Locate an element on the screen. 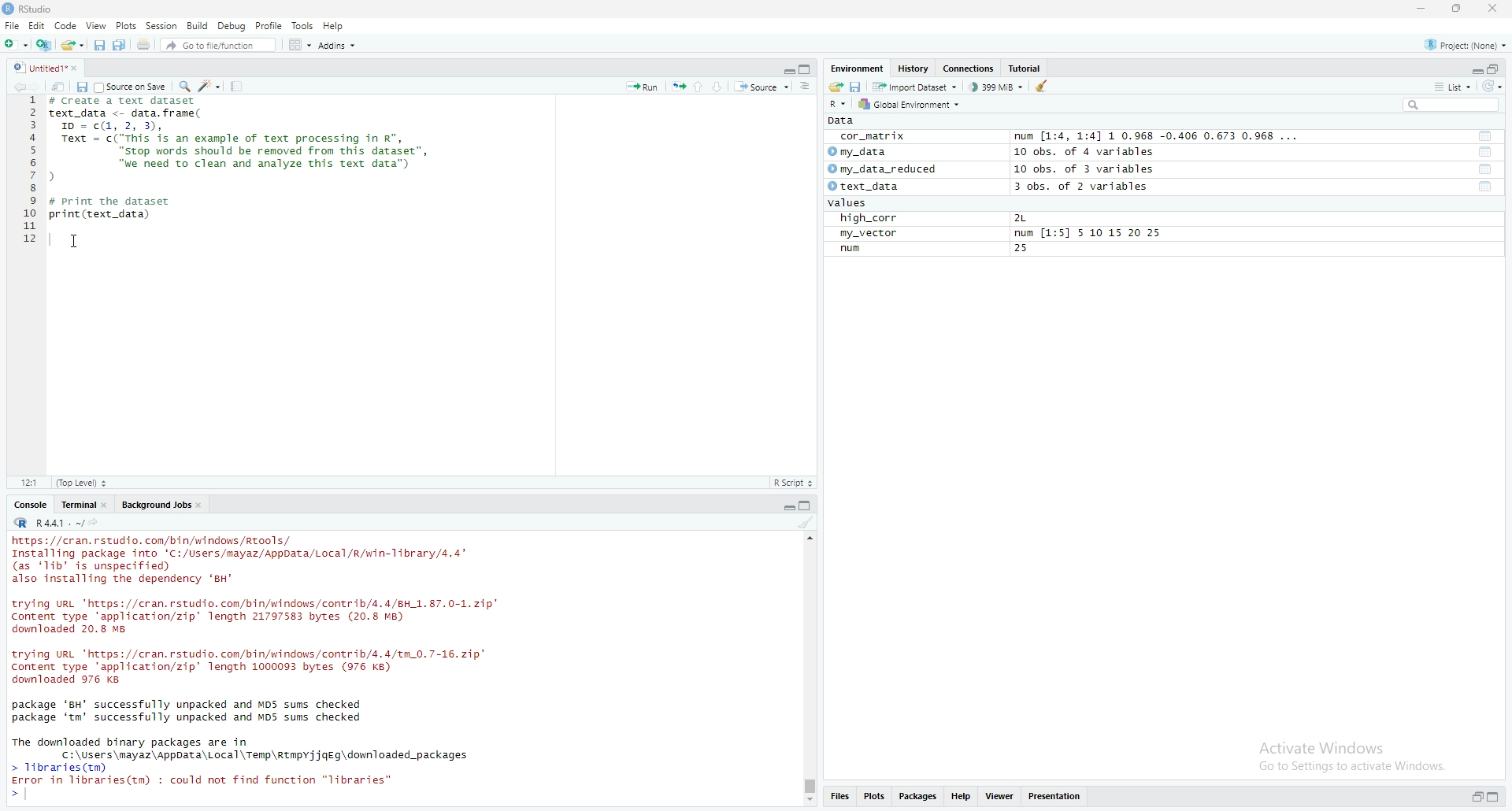 The width and height of the screenshot is (1512, 811). show in new window is located at coordinates (59, 87).